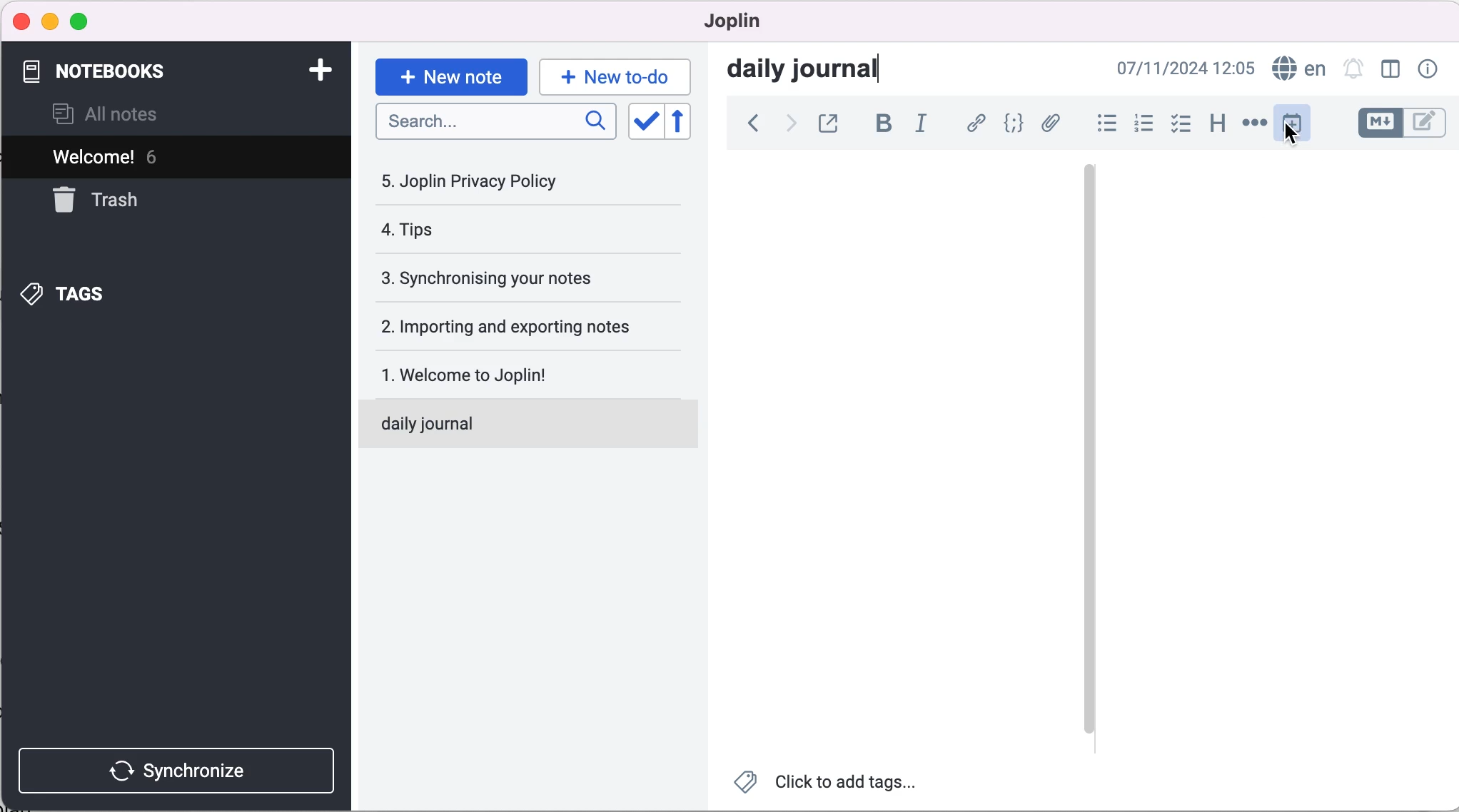  I want to click on bold, so click(881, 124).